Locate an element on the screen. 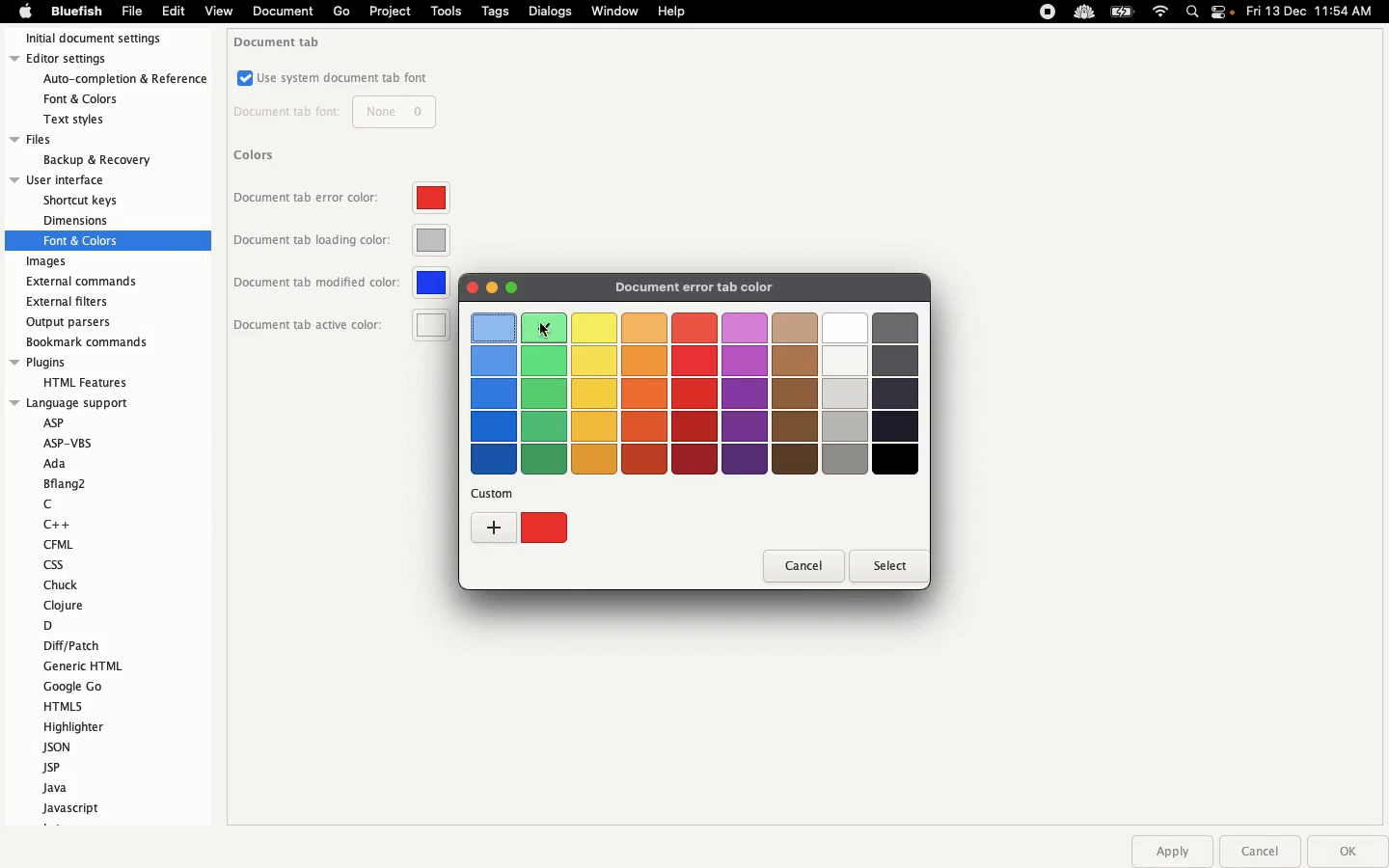 Image resolution: width=1389 pixels, height=868 pixels. Edit is located at coordinates (174, 11).